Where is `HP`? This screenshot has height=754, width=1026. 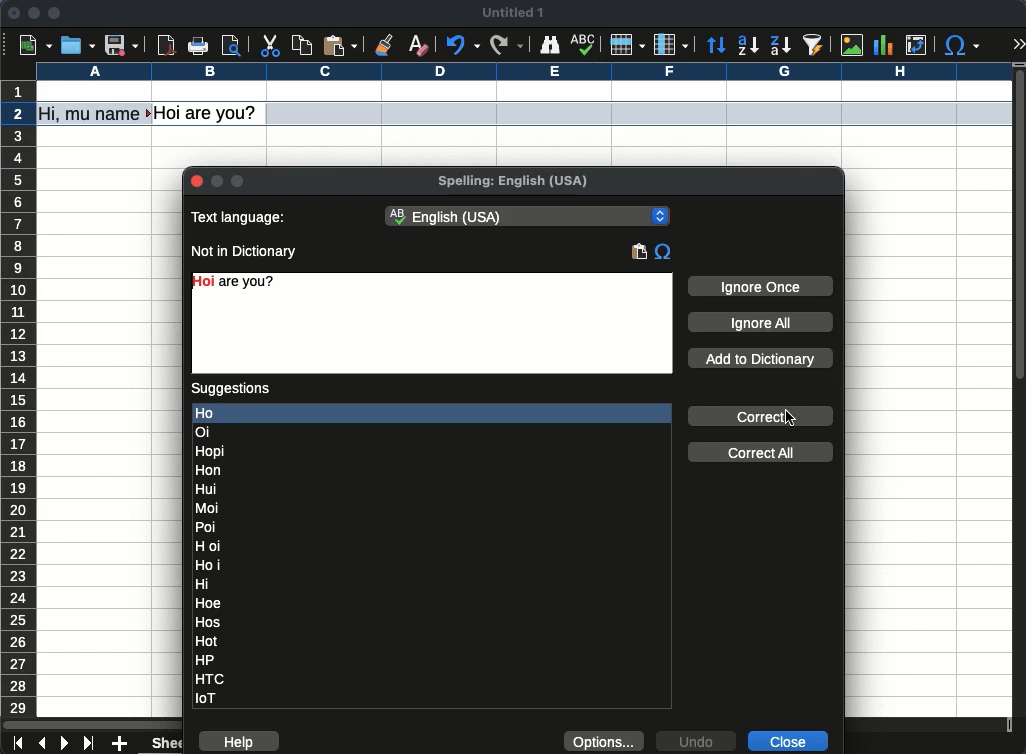 HP is located at coordinates (208, 660).